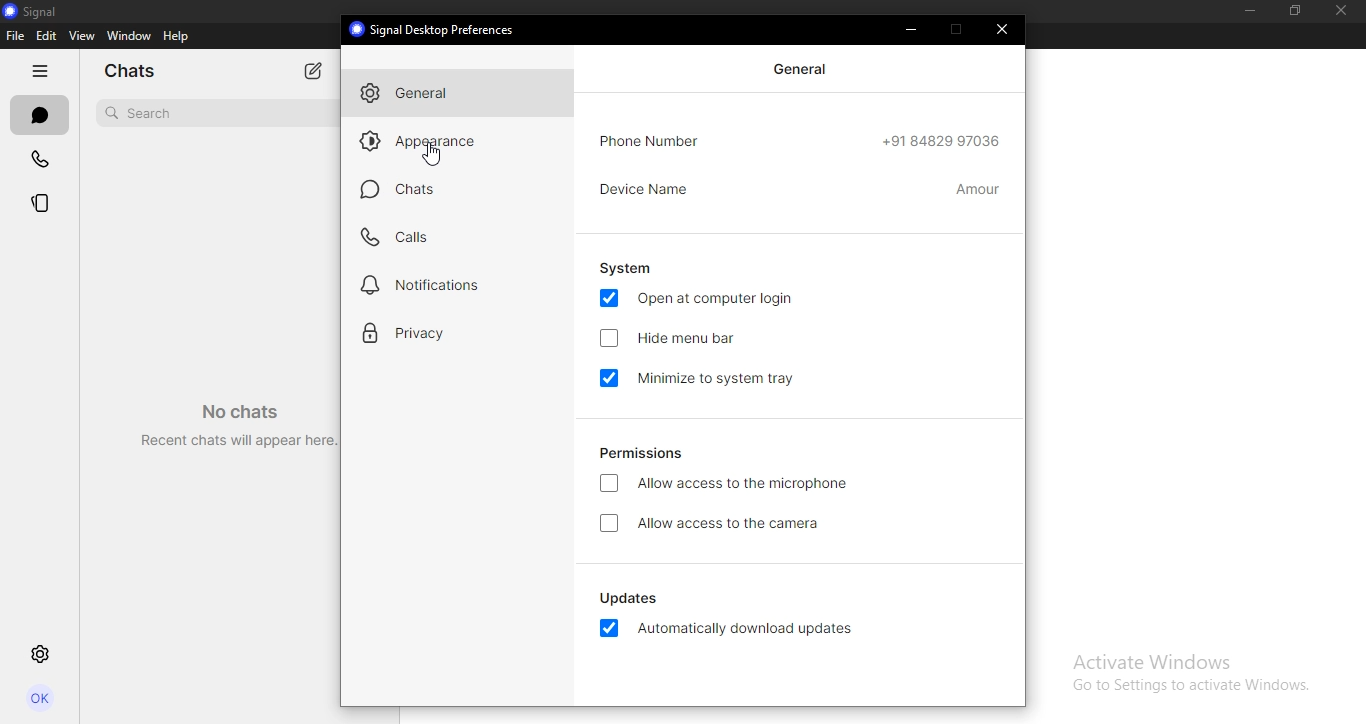 This screenshot has height=724, width=1366. Describe the element at coordinates (128, 37) in the screenshot. I see `window` at that location.